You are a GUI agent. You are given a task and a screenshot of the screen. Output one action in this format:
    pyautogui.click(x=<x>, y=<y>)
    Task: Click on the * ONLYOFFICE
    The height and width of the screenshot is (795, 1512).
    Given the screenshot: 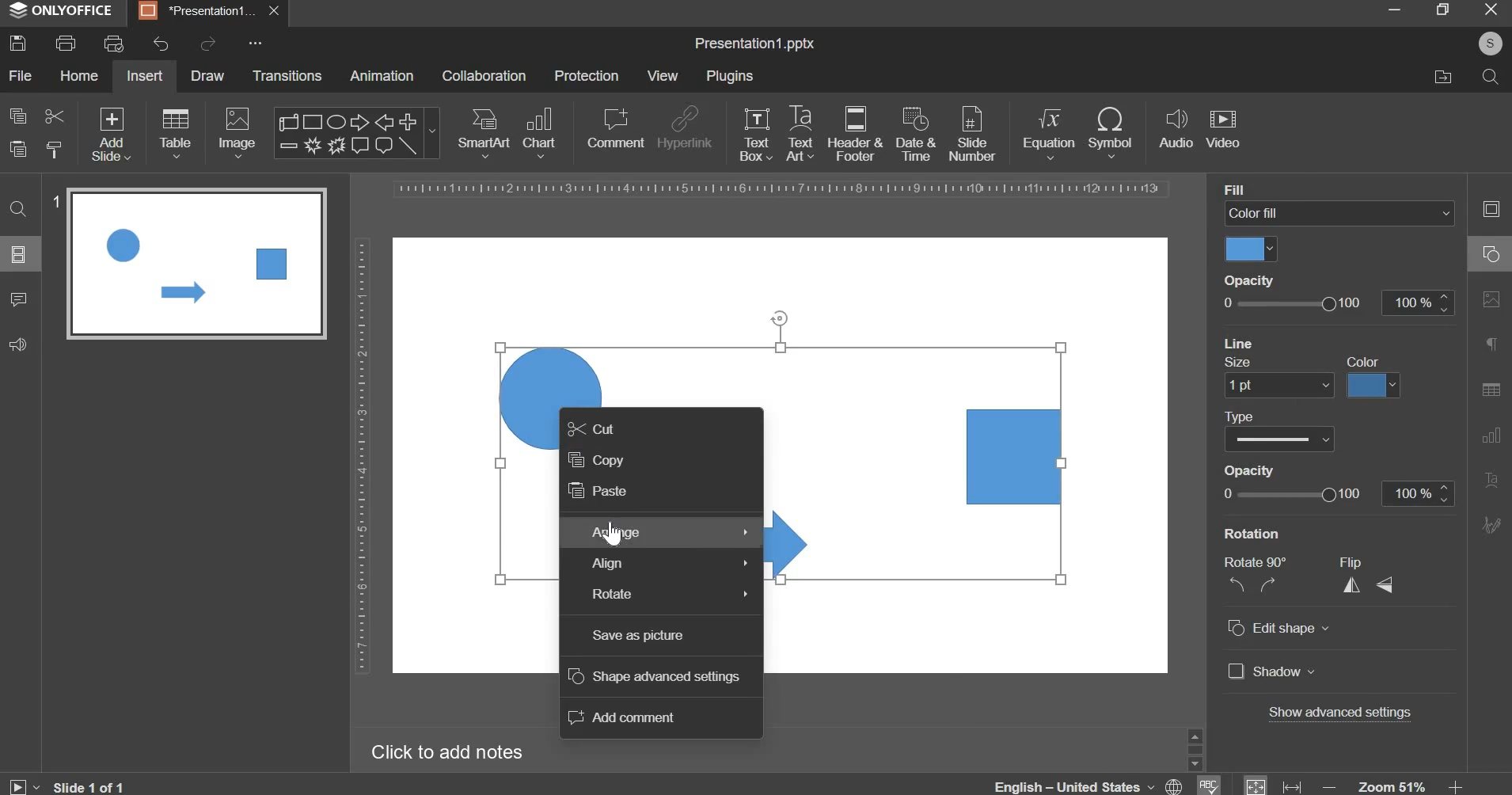 What is the action you would take?
    pyautogui.click(x=62, y=10)
    